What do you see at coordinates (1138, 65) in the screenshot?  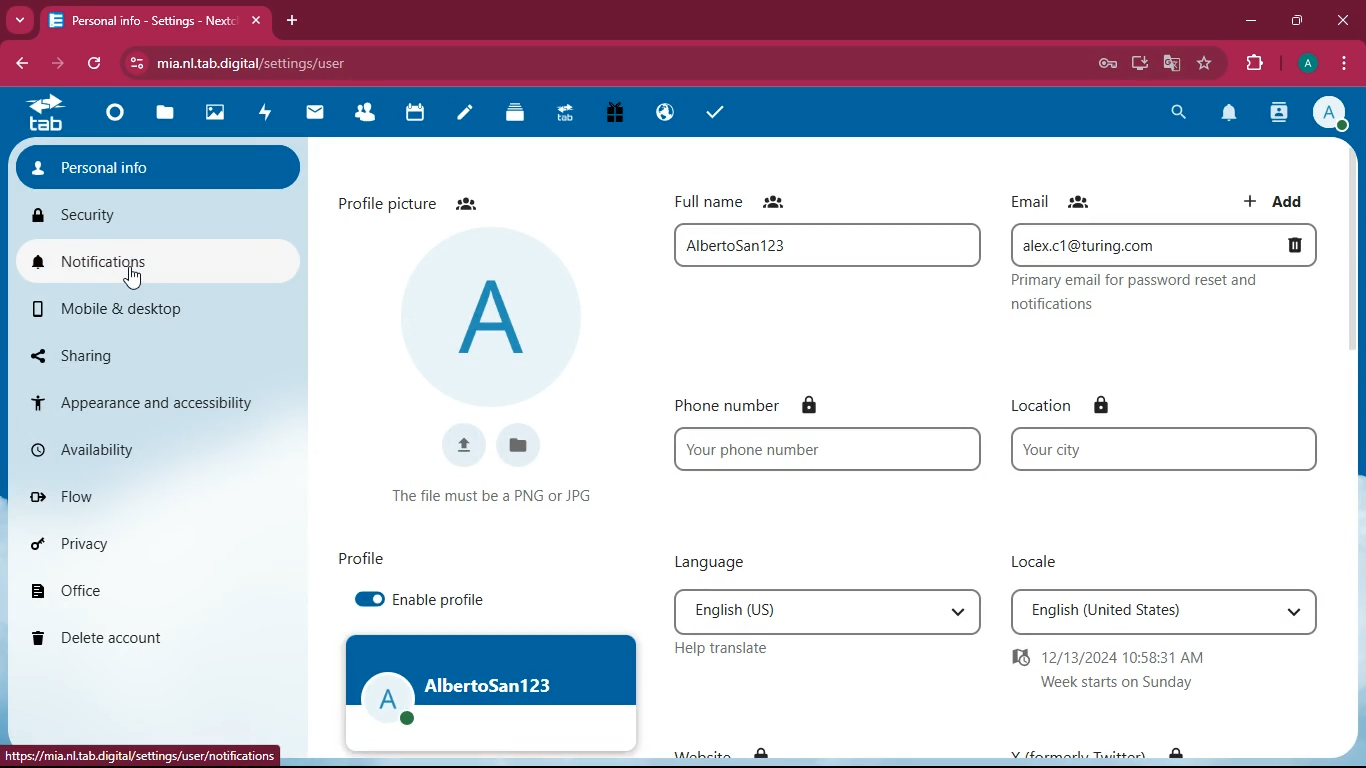 I see `desktop` at bounding box center [1138, 65].